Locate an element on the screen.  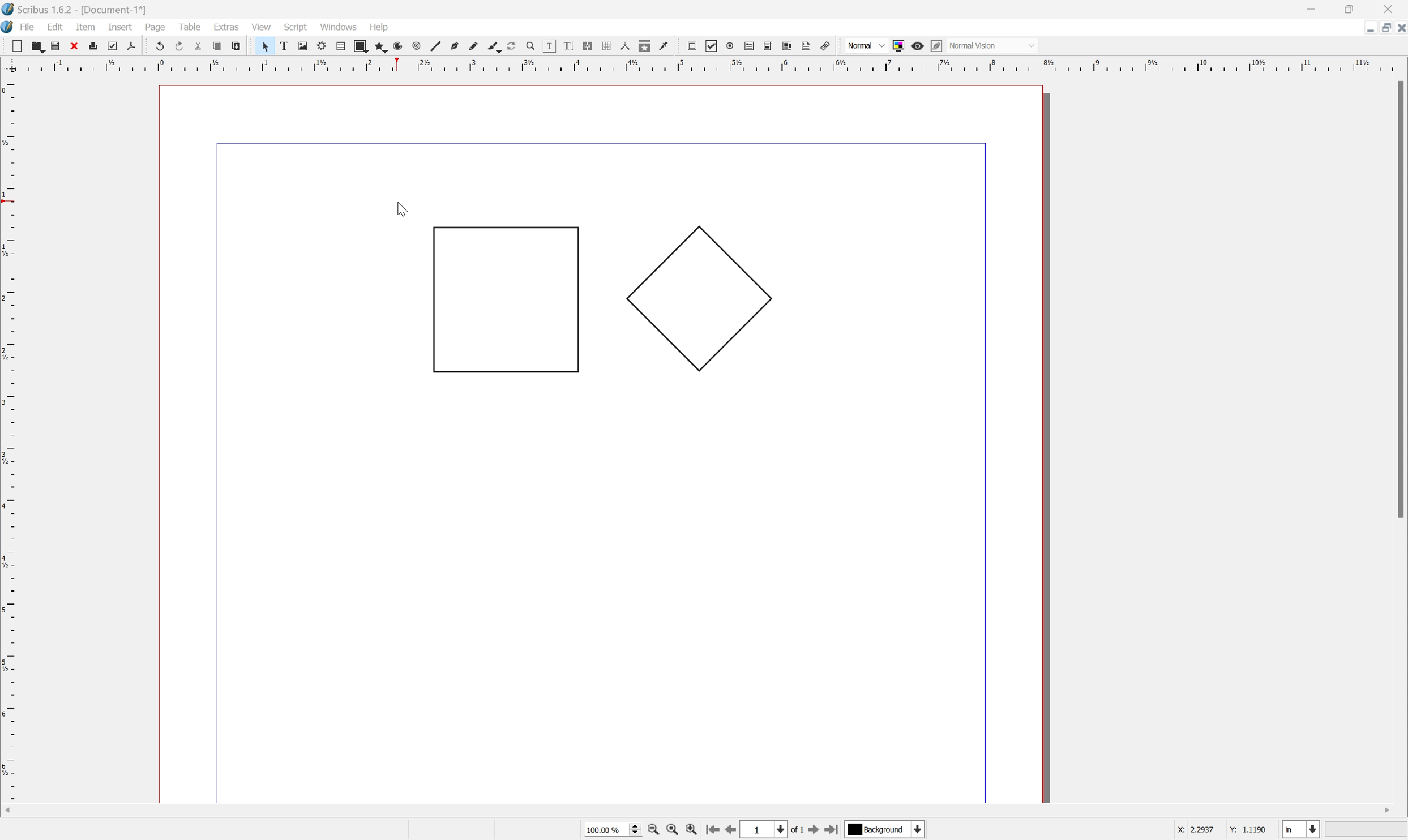
select item is located at coordinates (262, 46).